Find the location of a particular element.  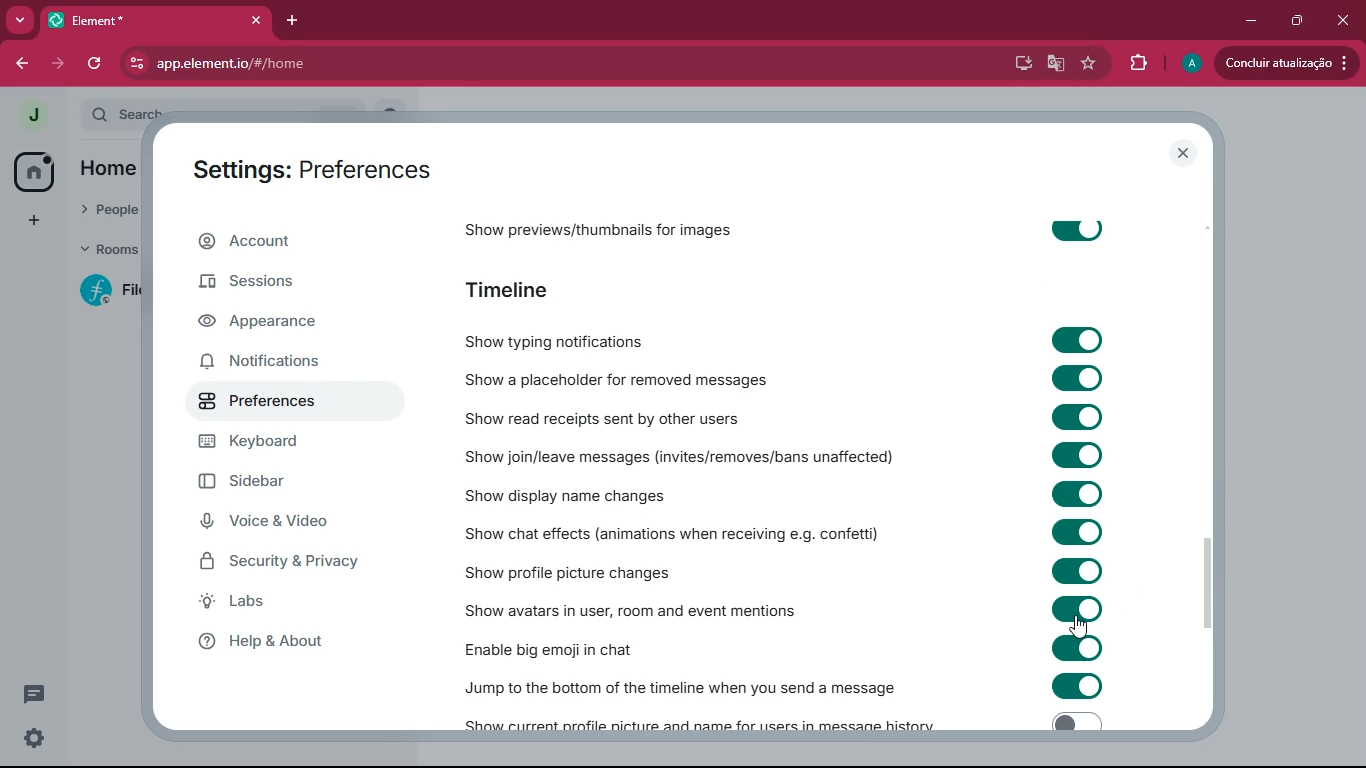

desktop is located at coordinates (1021, 64).